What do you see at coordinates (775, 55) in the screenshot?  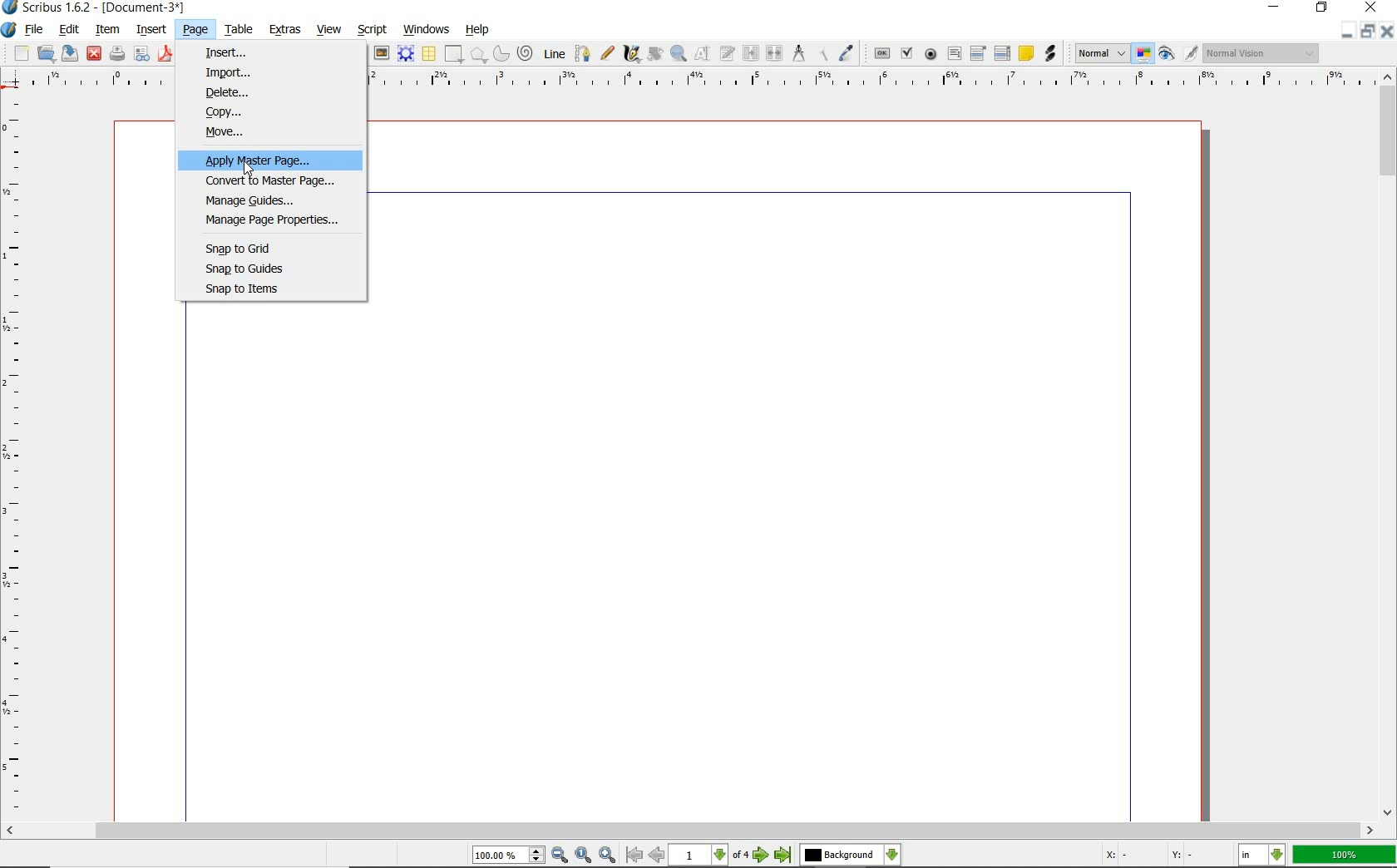 I see `unlink text frames` at bounding box center [775, 55].